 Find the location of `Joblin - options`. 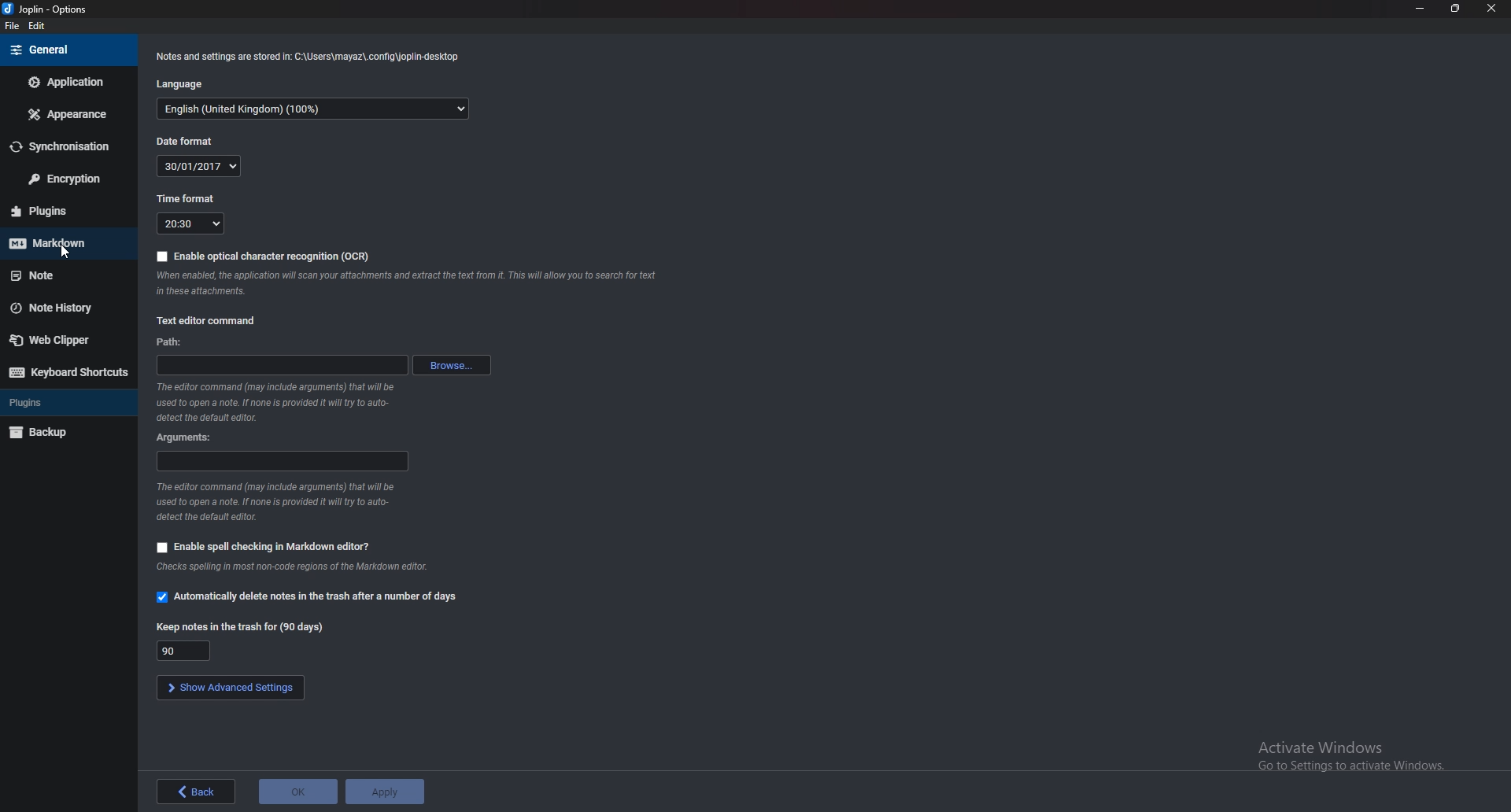

Joblin - options is located at coordinates (54, 9).